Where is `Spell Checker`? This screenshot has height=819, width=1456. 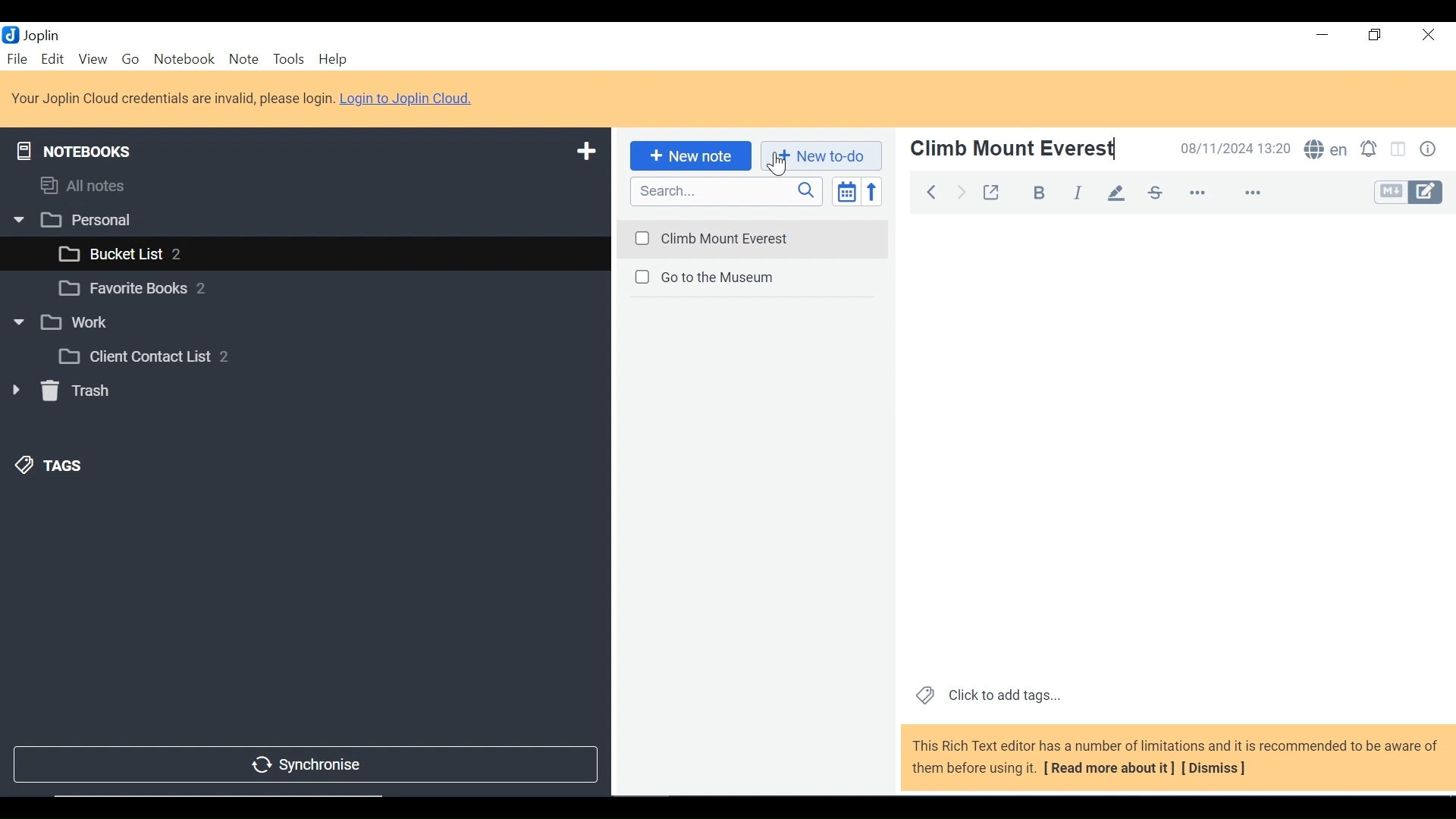
Spell Checker is located at coordinates (1328, 150).